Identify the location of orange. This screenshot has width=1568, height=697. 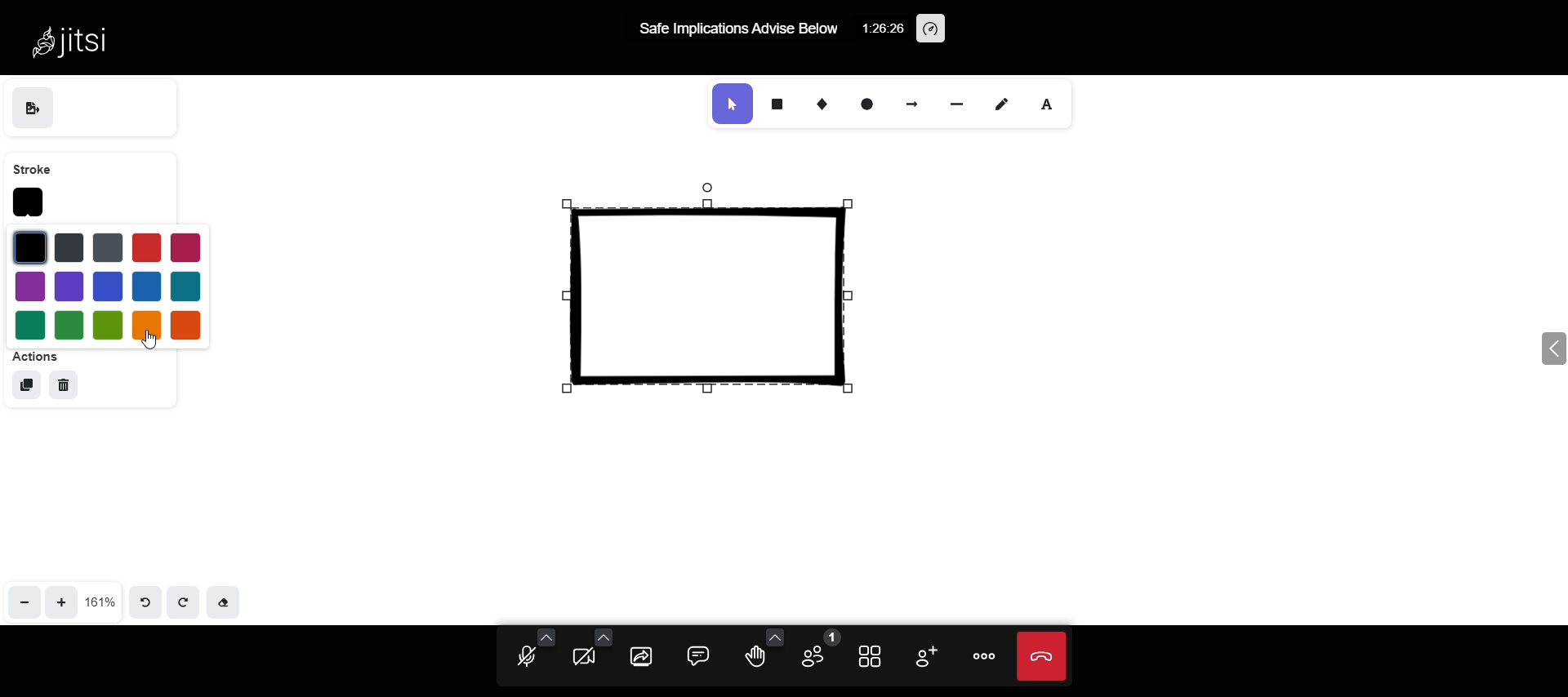
(146, 328).